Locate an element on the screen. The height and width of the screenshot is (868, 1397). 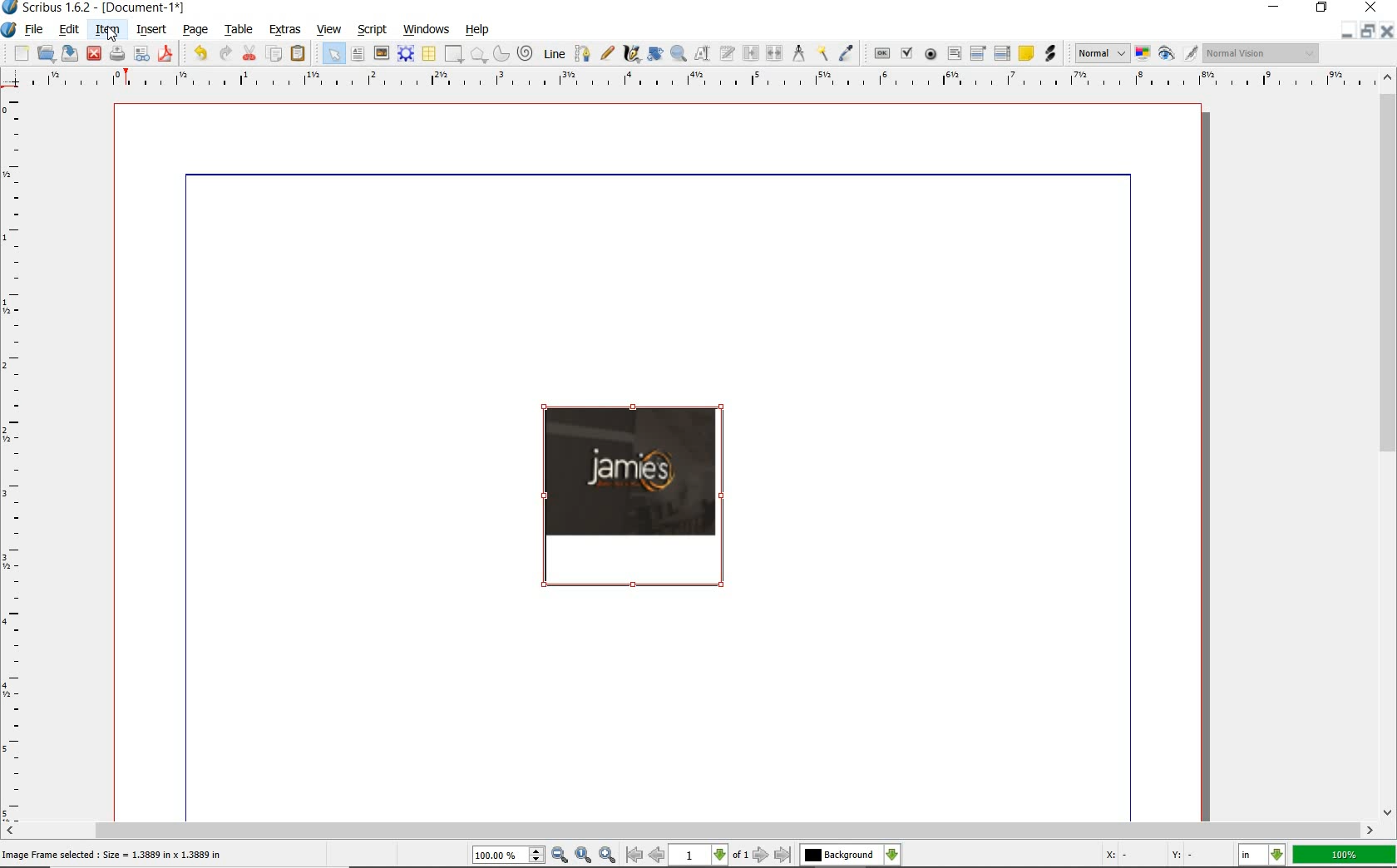
zoom in or zoom out is located at coordinates (679, 53).